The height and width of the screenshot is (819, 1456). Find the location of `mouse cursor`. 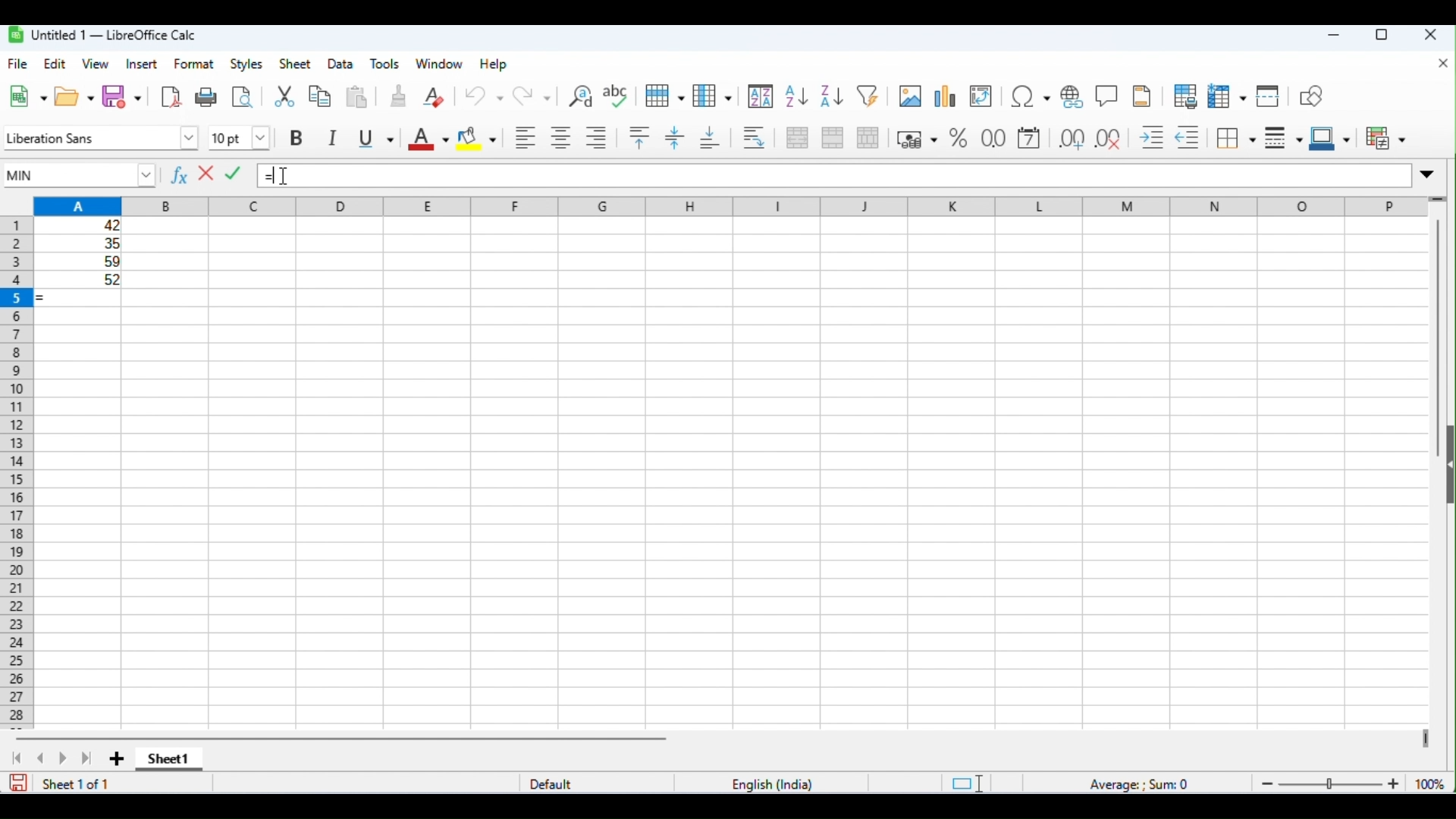

mouse cursor is located at coordinates (285, 177).